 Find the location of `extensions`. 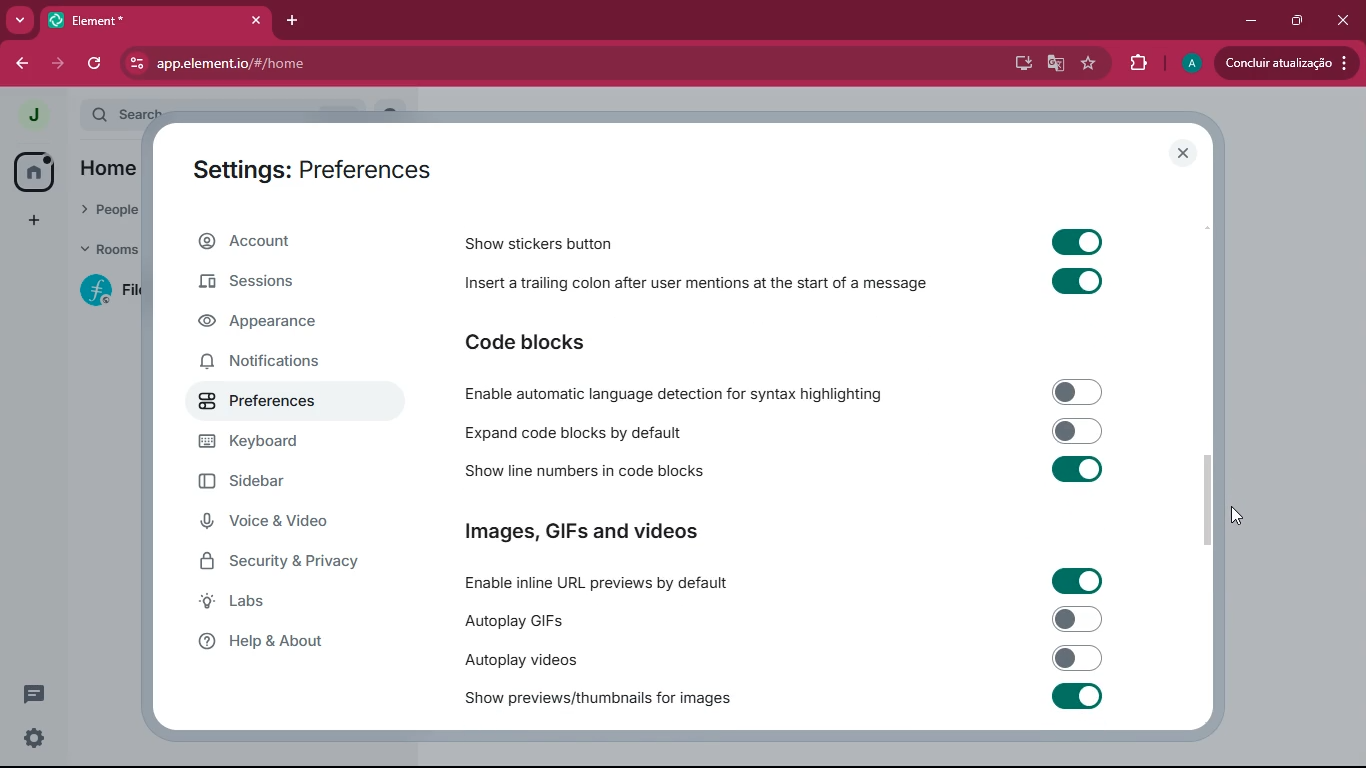

extensions is located at coordinates (1137, 61).